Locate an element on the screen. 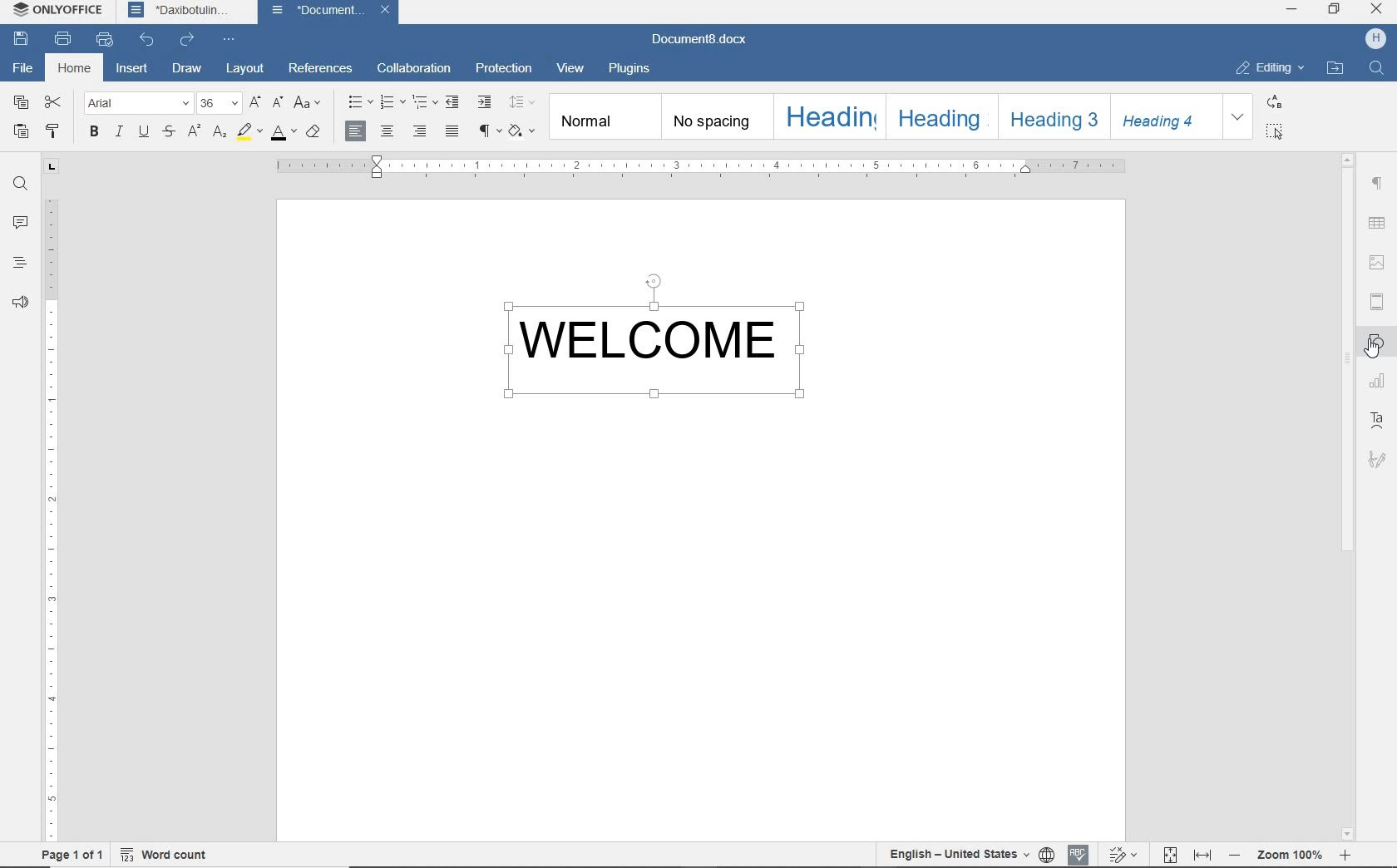 Image resolution: width=1397 pixels, height=868 pixels. TAB STOP is located at coordinates (51, 168).